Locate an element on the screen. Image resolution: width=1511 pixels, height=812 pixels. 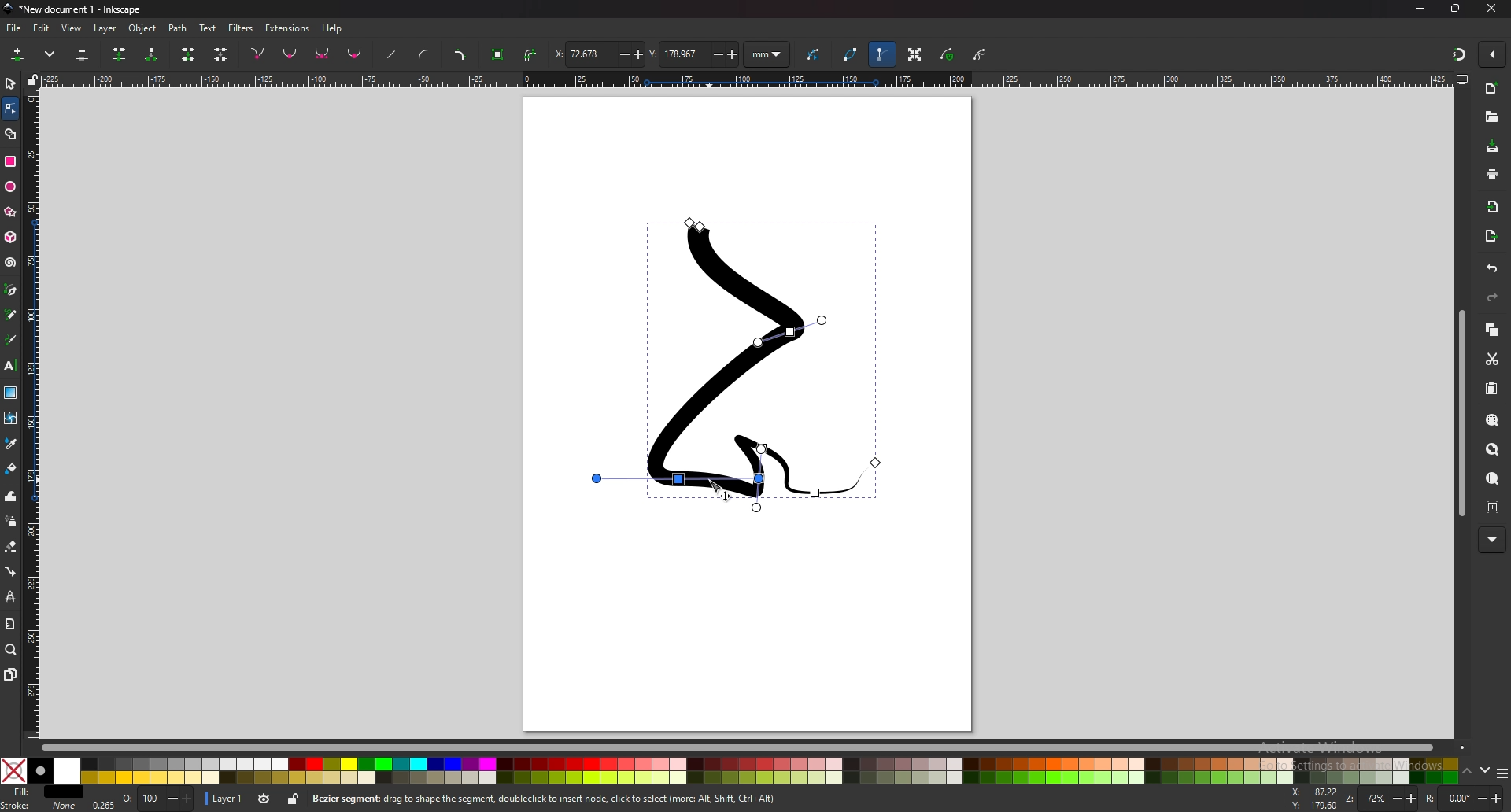
add corners lpe is located at coordinates (461, 54).